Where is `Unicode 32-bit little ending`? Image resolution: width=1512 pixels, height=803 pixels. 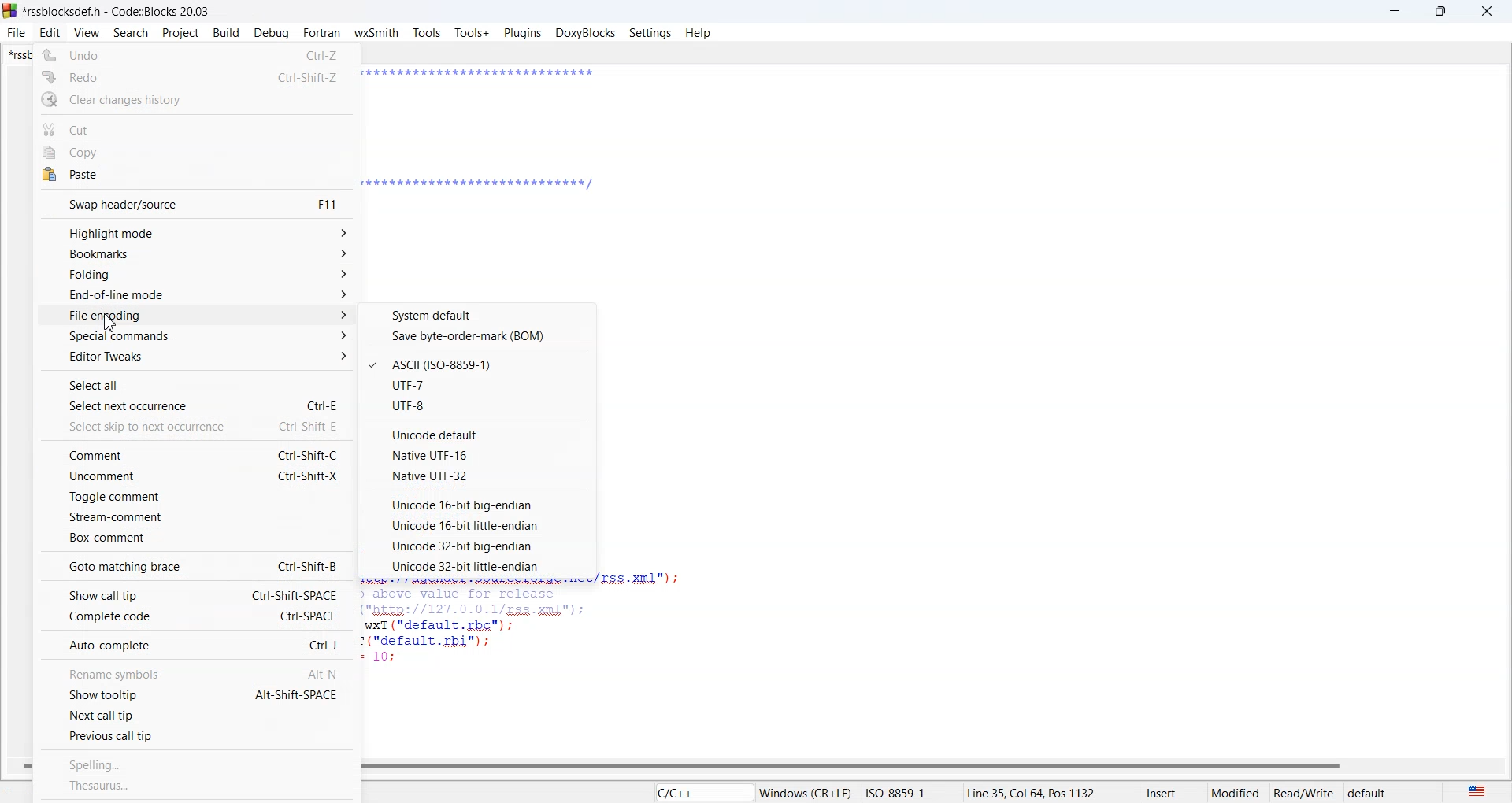
Unicode 32-bit little ending is located at coordinates (475, 566).